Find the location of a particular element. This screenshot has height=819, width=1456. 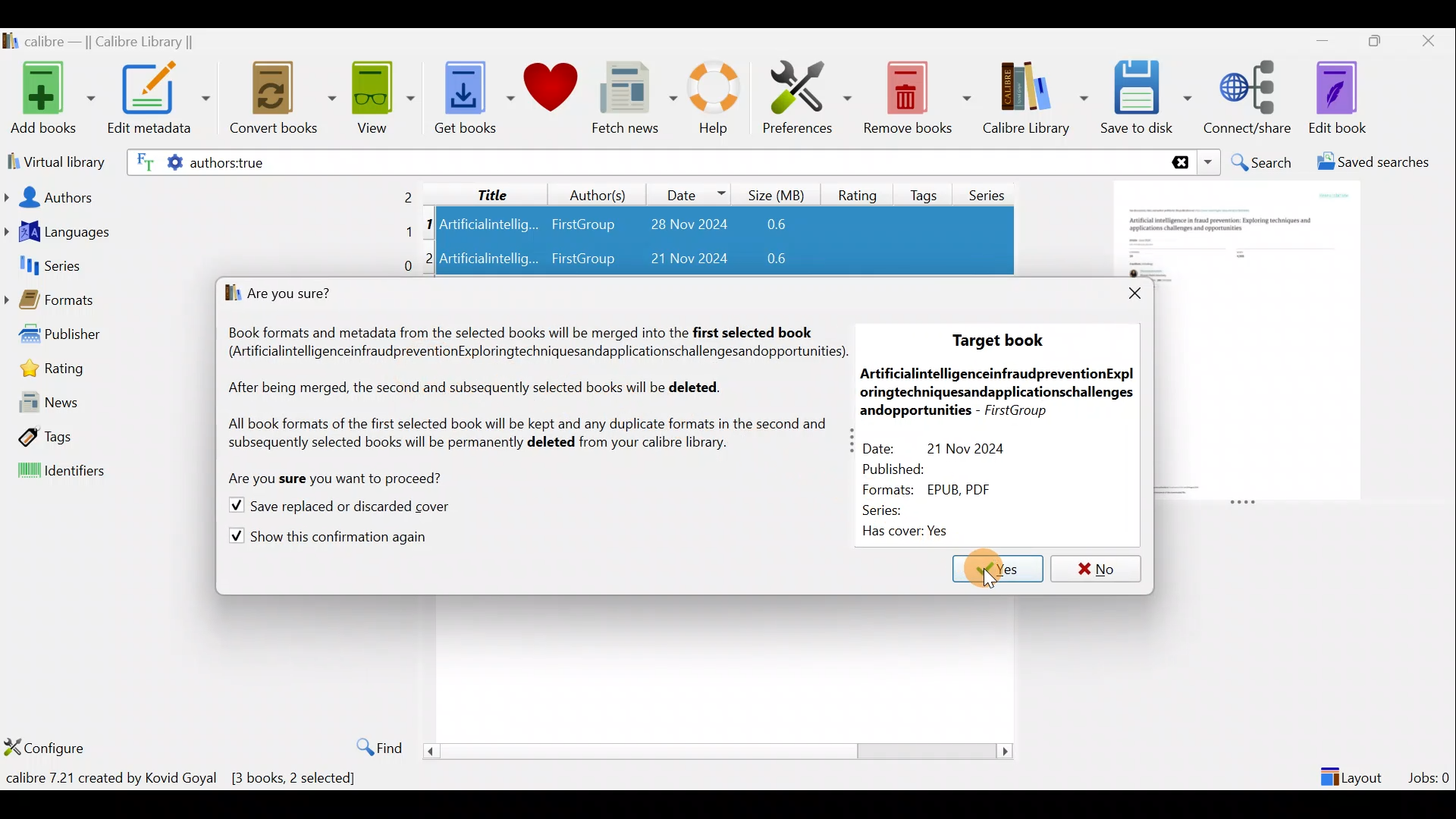

0.6 is located at coordinates (782, 225).